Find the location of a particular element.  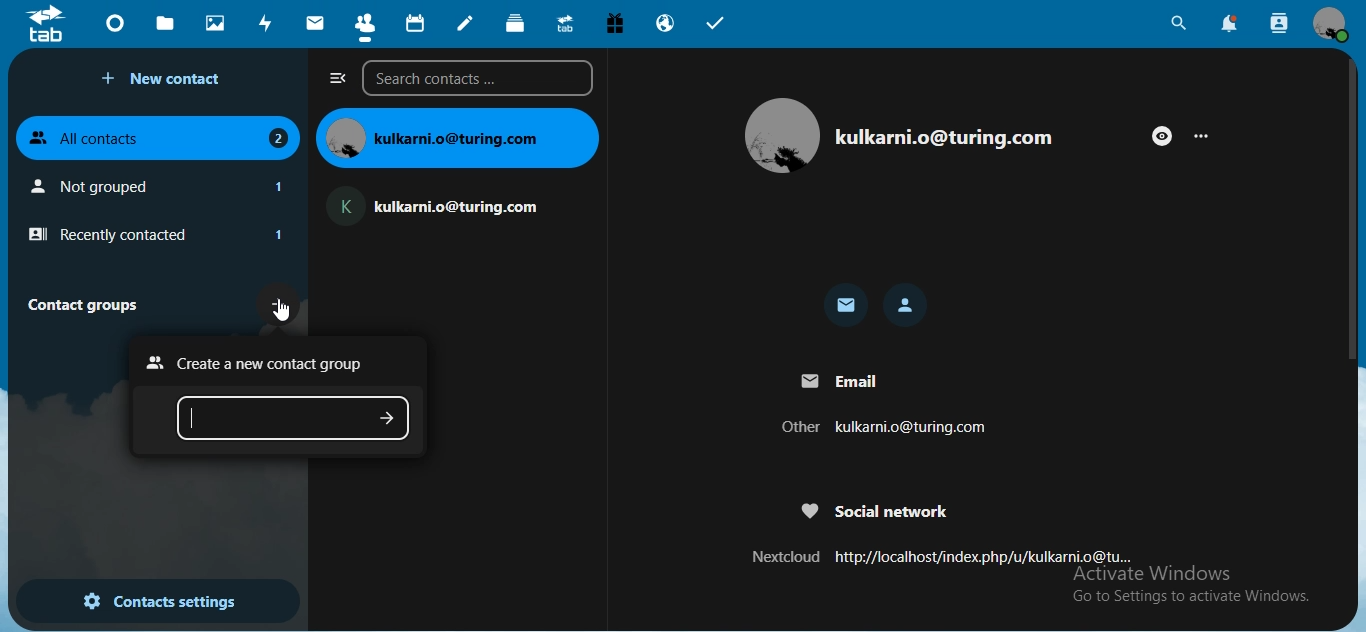

tasks is located at coordinates (716, 26).